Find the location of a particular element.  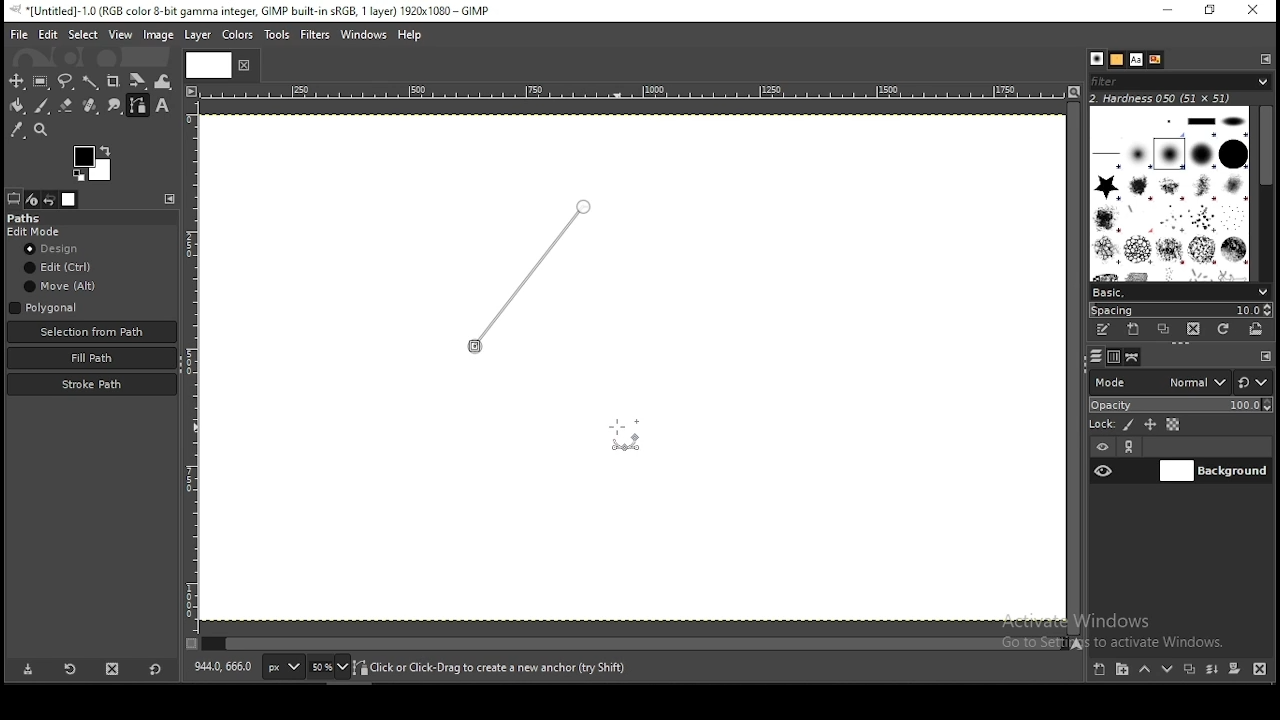

configure this tab is located at coordinates (1268, 356).